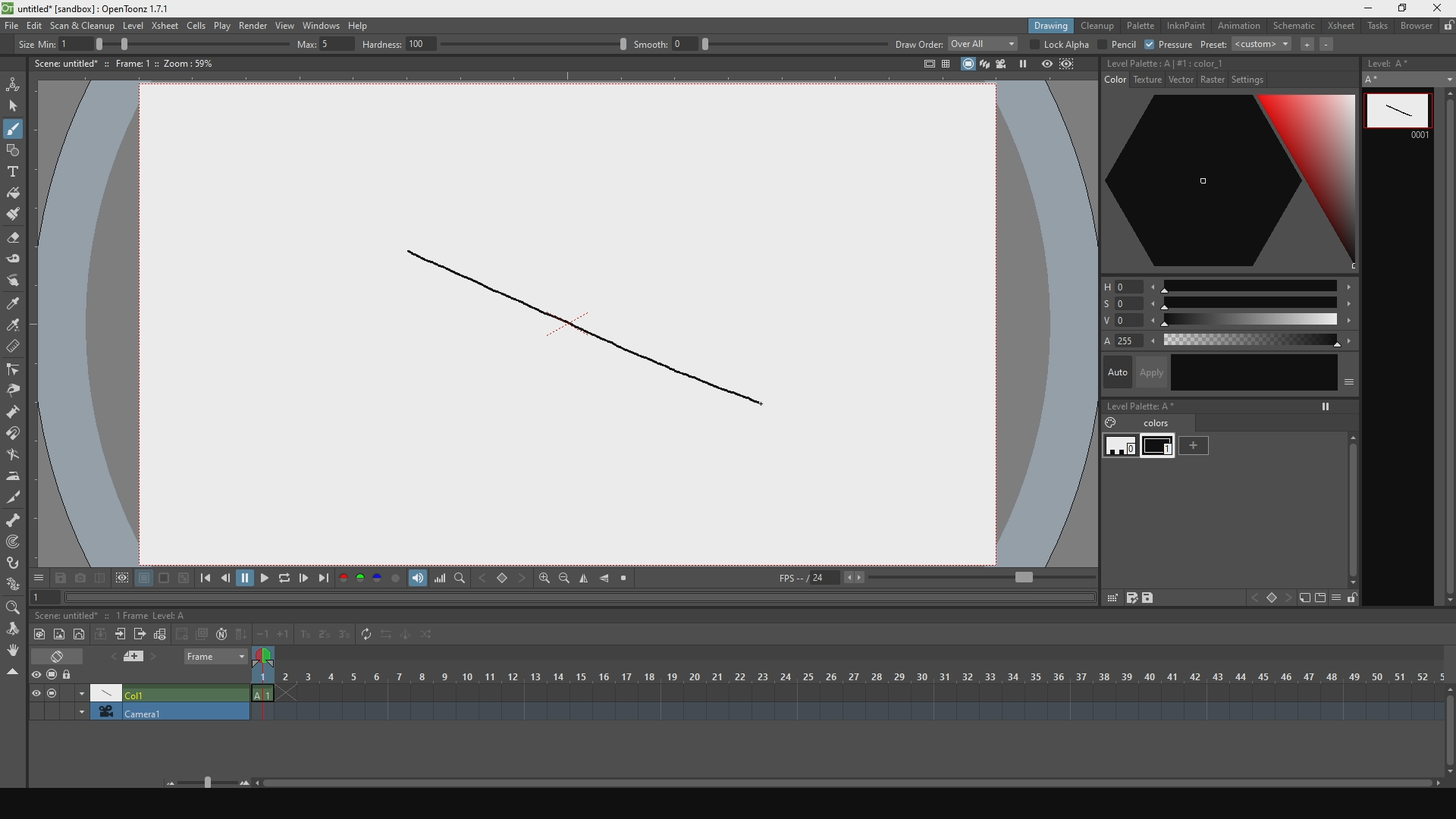  I want to click on rotate, so click(14, 652).